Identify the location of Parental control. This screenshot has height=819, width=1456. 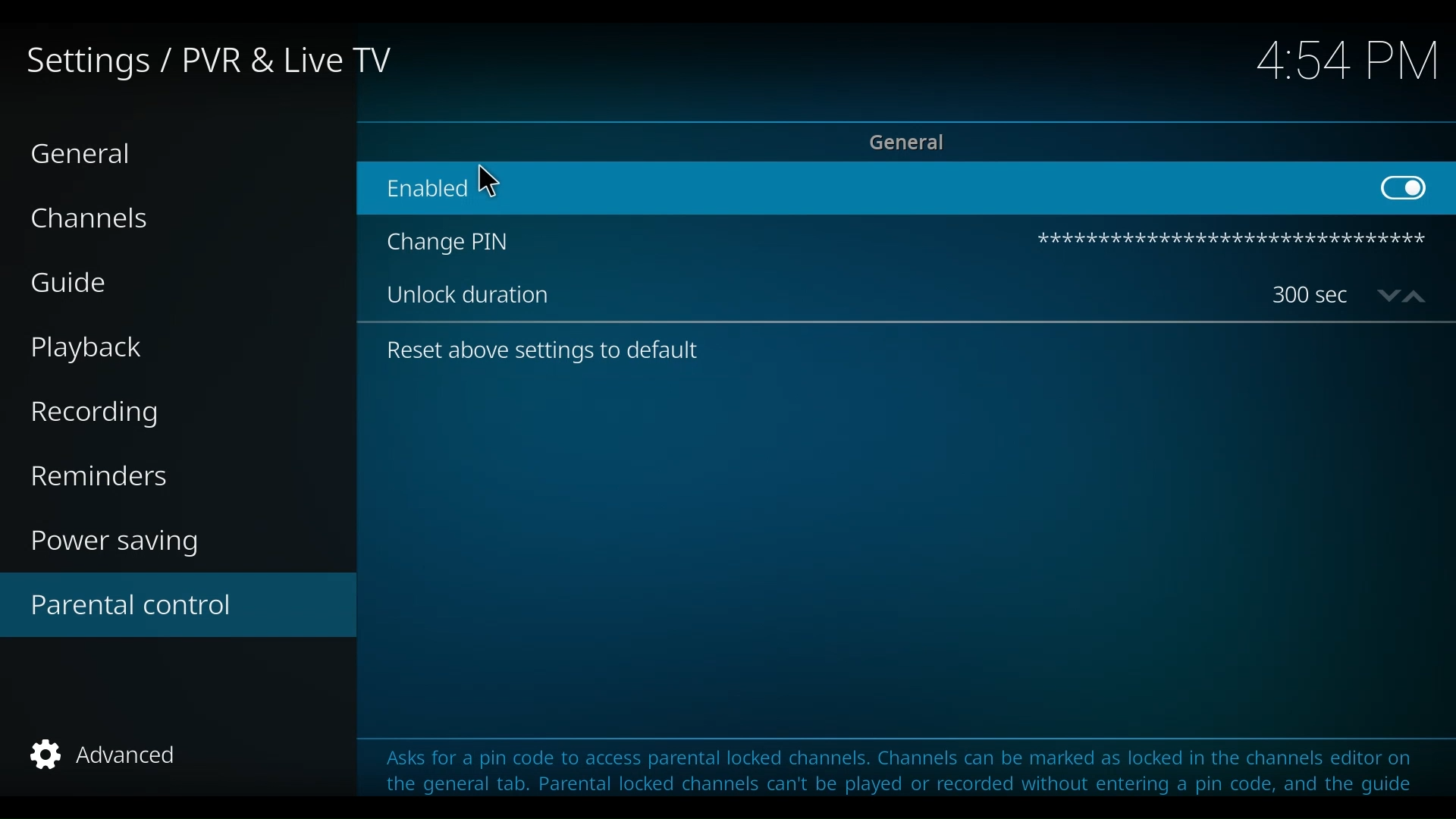
(177, 604).